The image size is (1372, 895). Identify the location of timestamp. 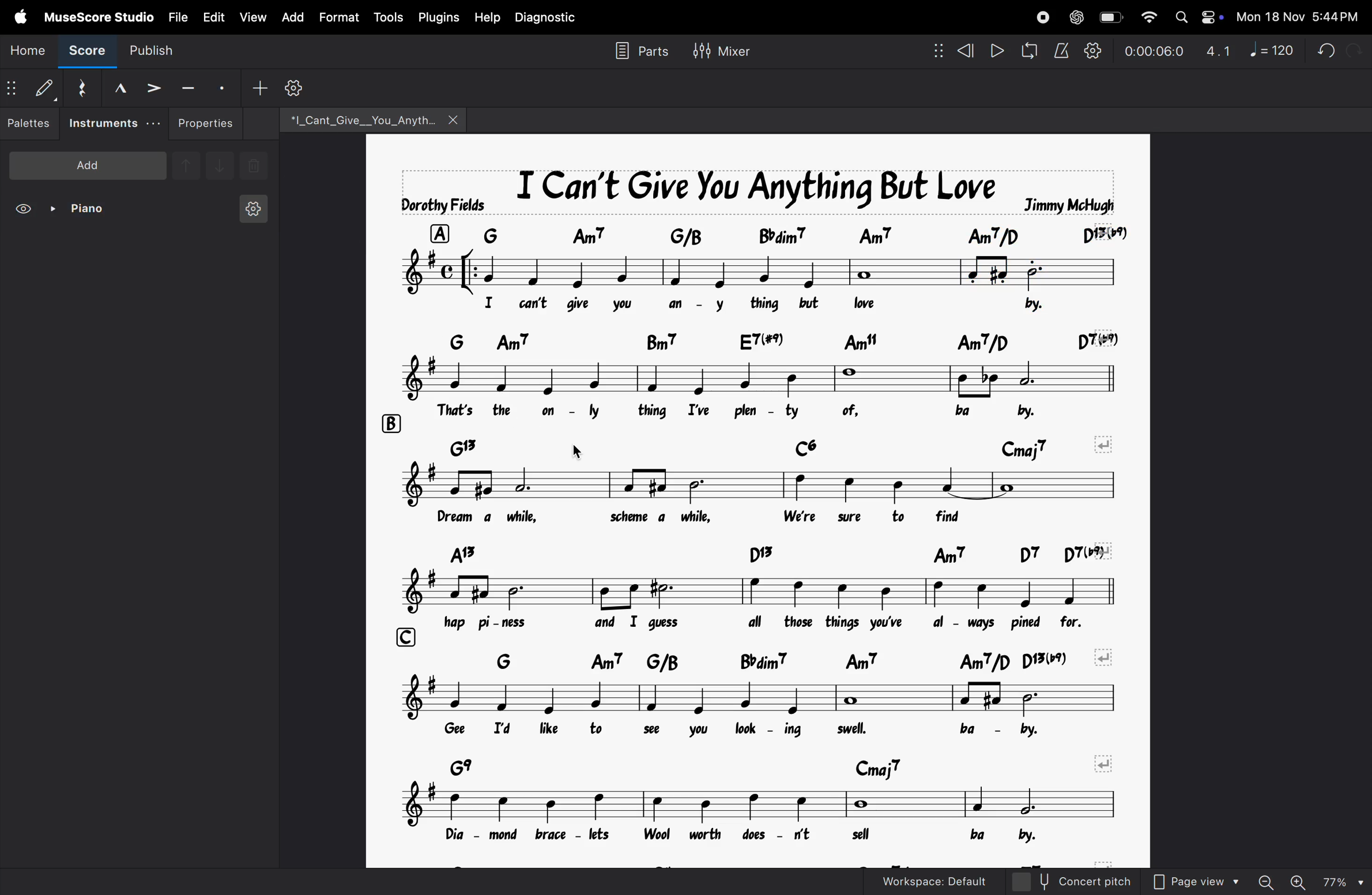
(1156, 50).